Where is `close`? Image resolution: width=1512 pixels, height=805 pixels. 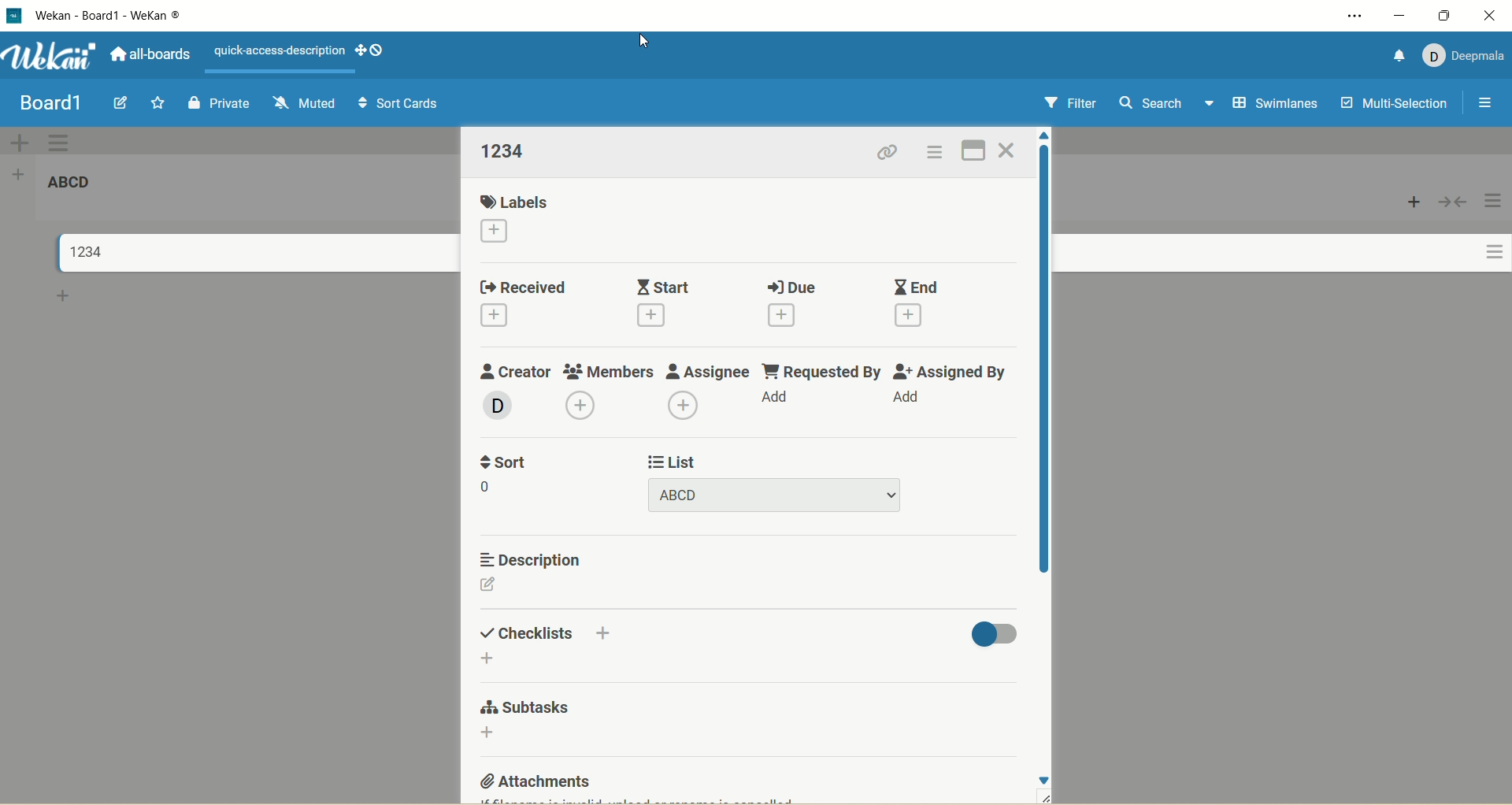 close is located at coordinates (1495, 16).